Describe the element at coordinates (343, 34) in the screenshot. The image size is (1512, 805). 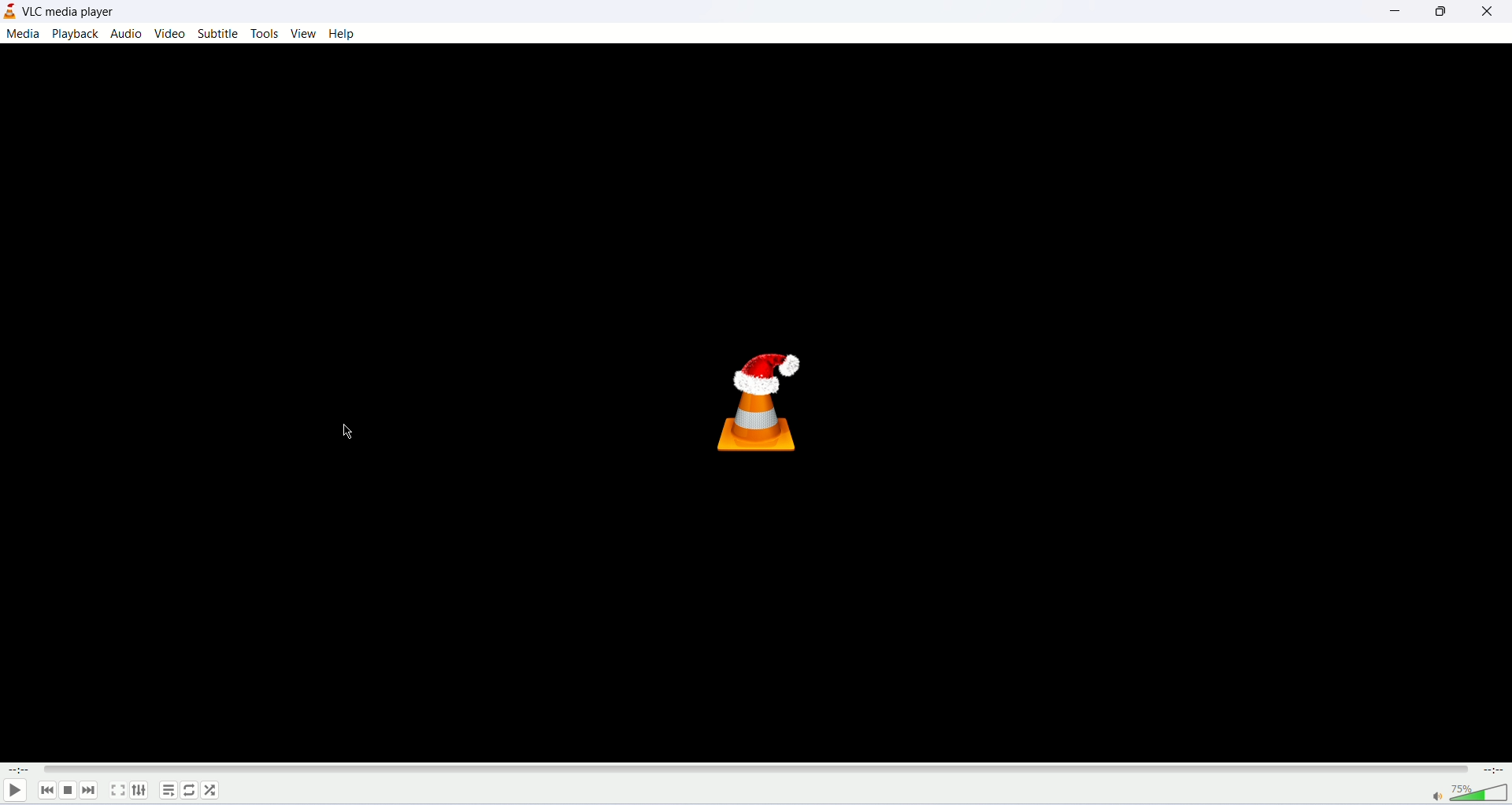
I see `help` at that location.